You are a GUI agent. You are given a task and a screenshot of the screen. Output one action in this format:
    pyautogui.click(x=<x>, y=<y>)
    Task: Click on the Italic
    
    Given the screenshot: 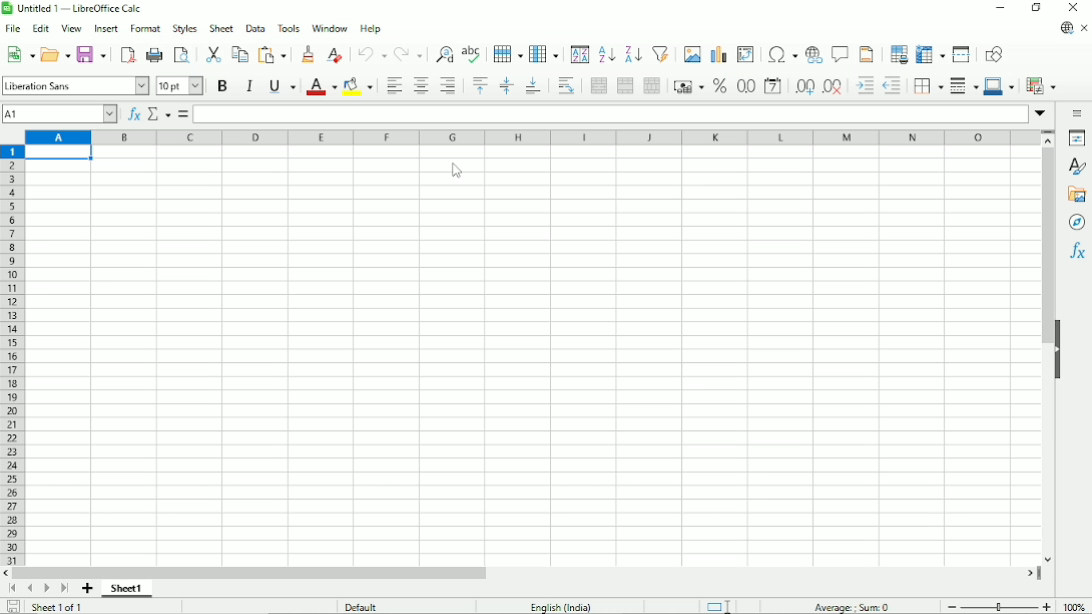 What is the action you would take?
    pyautogui.click(x=249, y=86)
    